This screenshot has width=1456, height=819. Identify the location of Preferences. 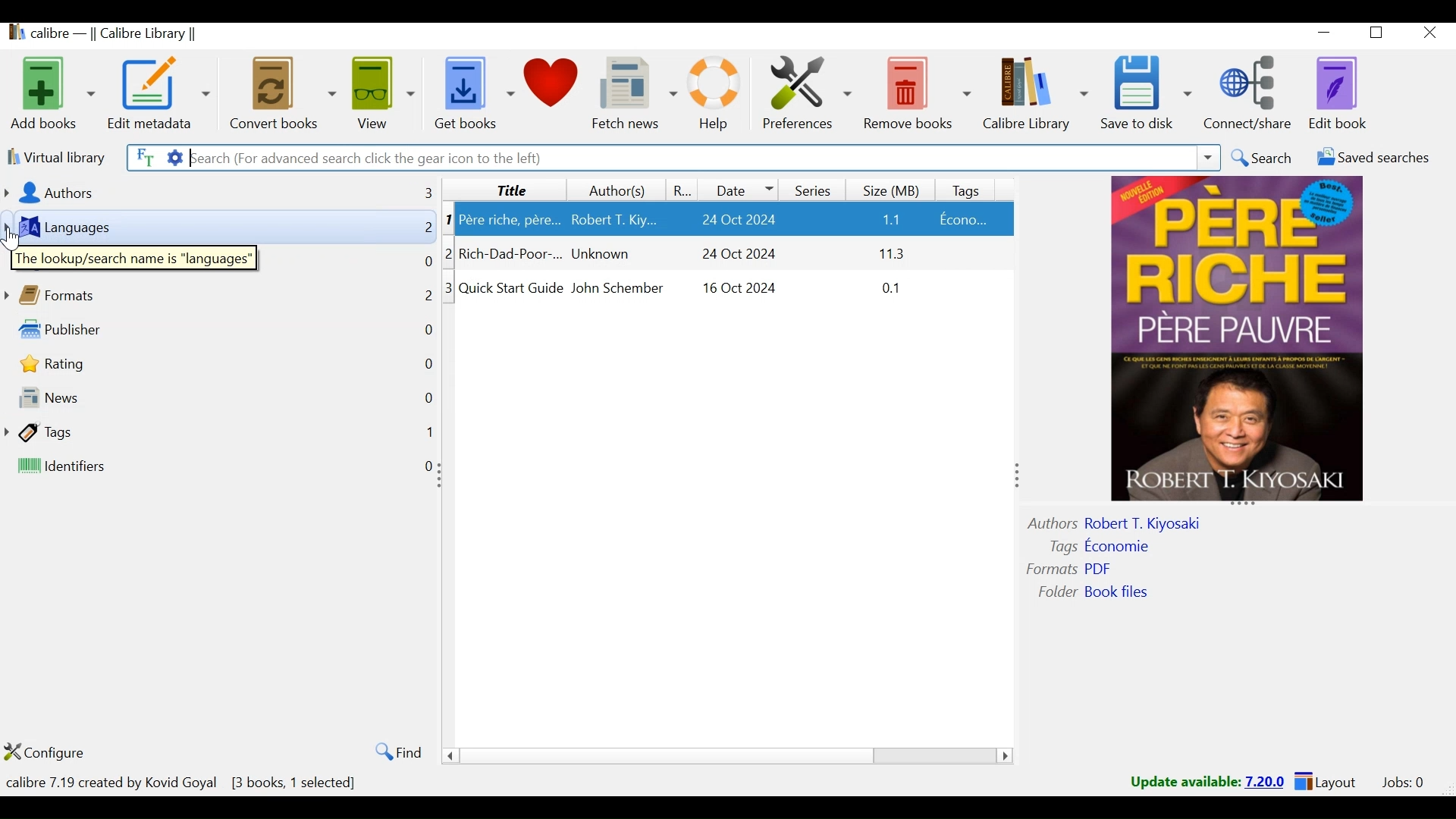
(808, 93).